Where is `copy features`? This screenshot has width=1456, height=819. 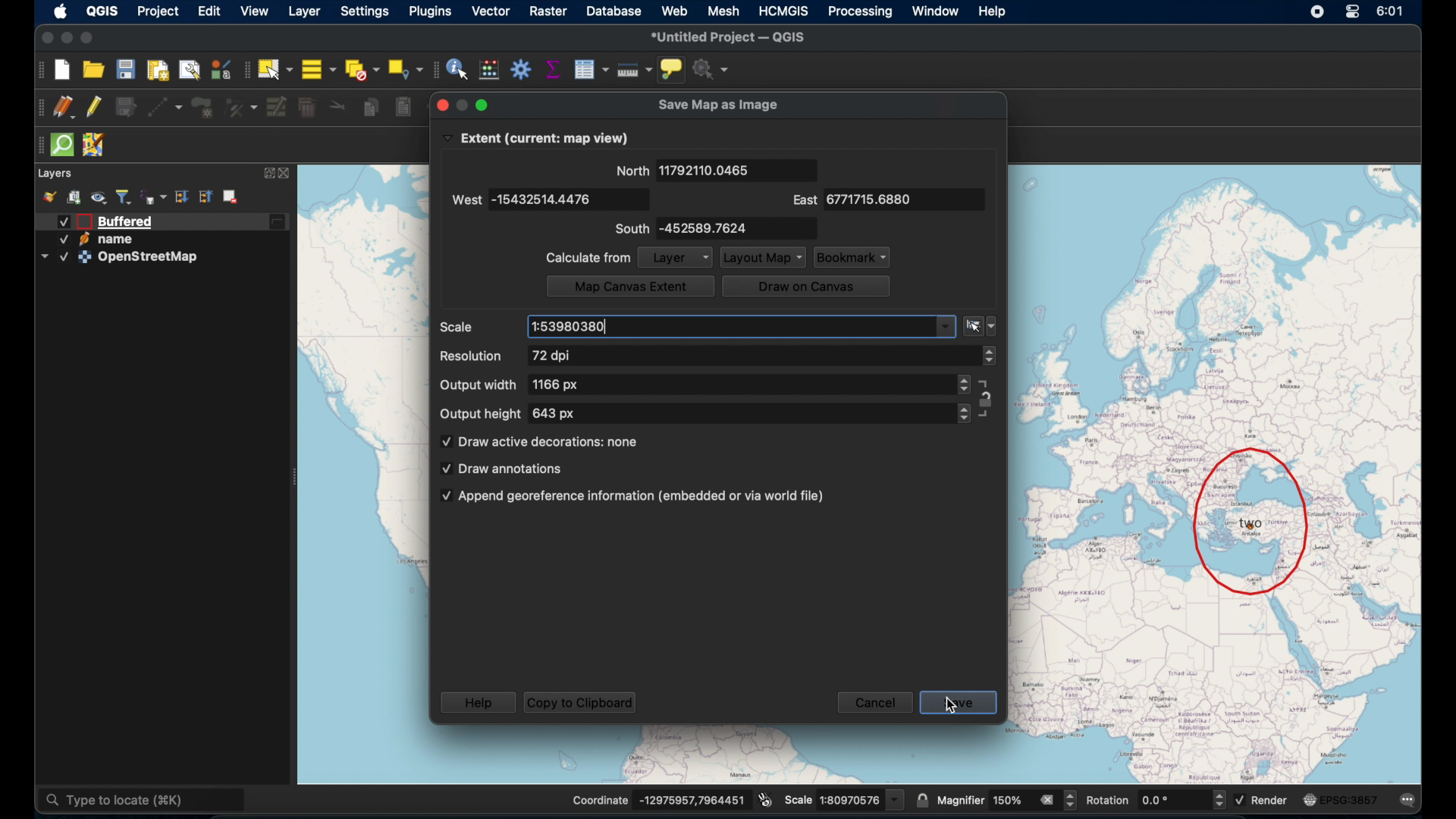
copy features is located at coordinates (371, 108).